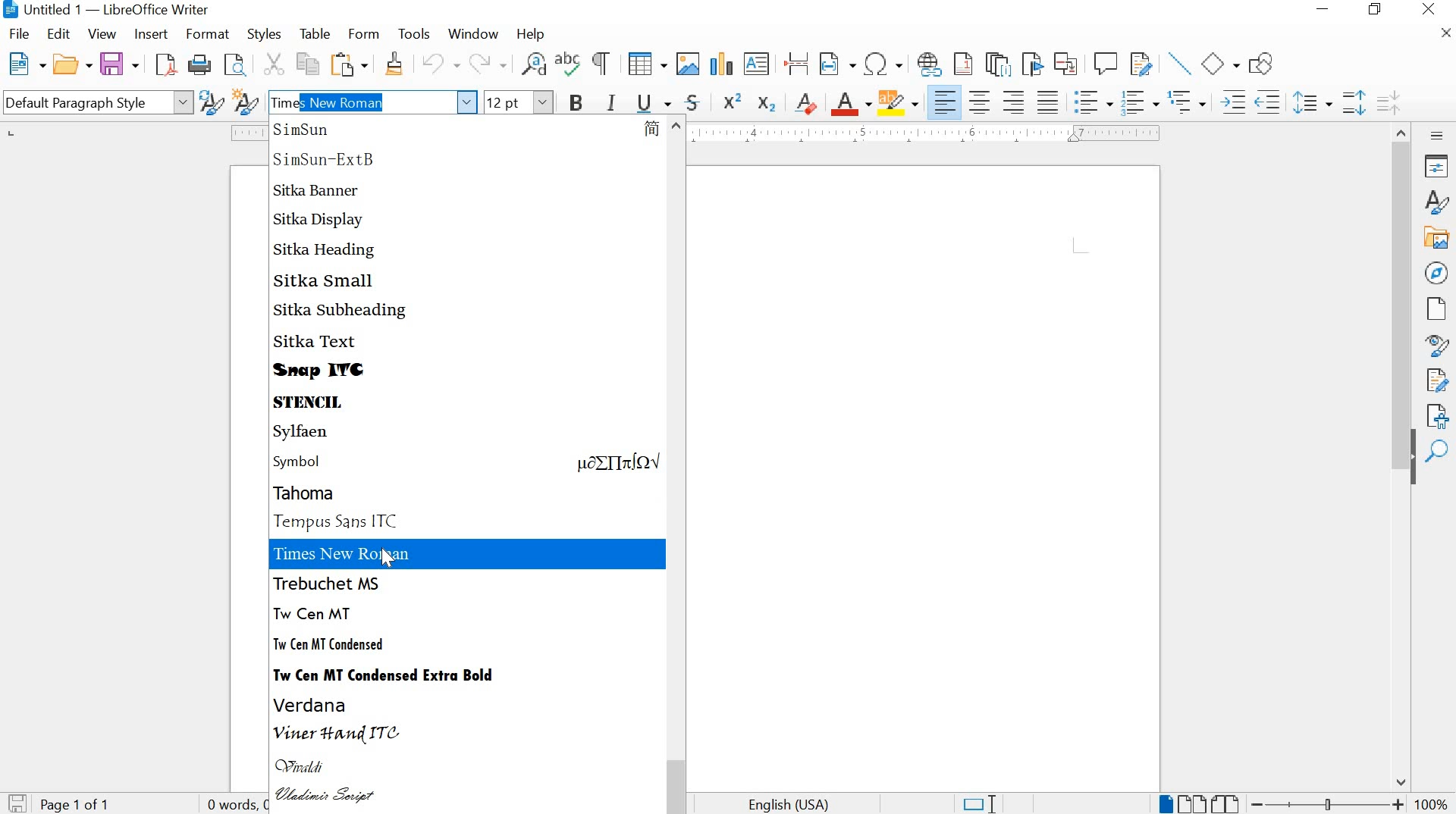  I want to click on untitled1 _libreOffie Writer, so click(126, 12).